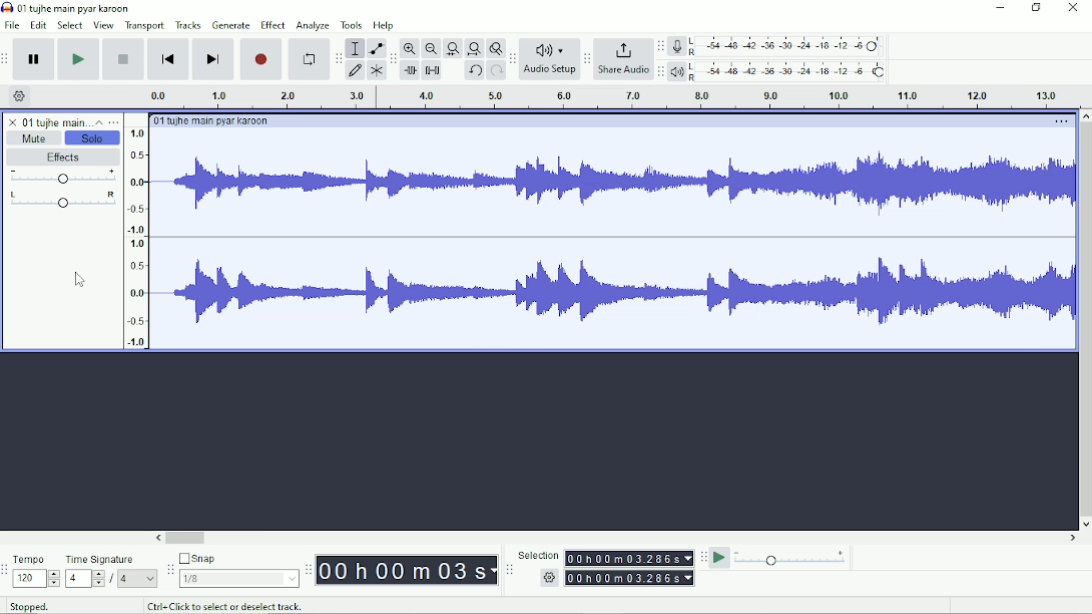 This screenshot has width=1092, height=614. Describe the element at coordinates (85, 578) in the screenshot. I see `` at that location.